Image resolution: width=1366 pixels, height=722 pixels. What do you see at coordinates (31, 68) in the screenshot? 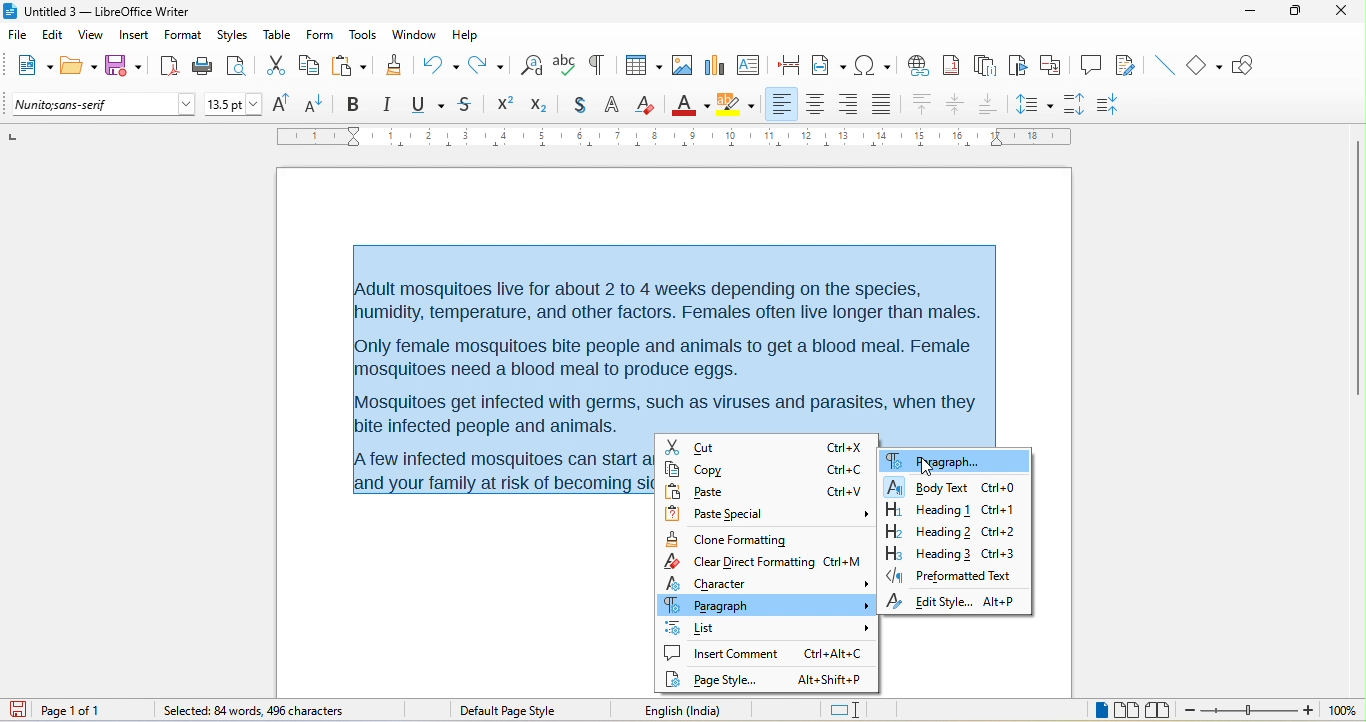
I see `new` at bounding box center [31, 68].